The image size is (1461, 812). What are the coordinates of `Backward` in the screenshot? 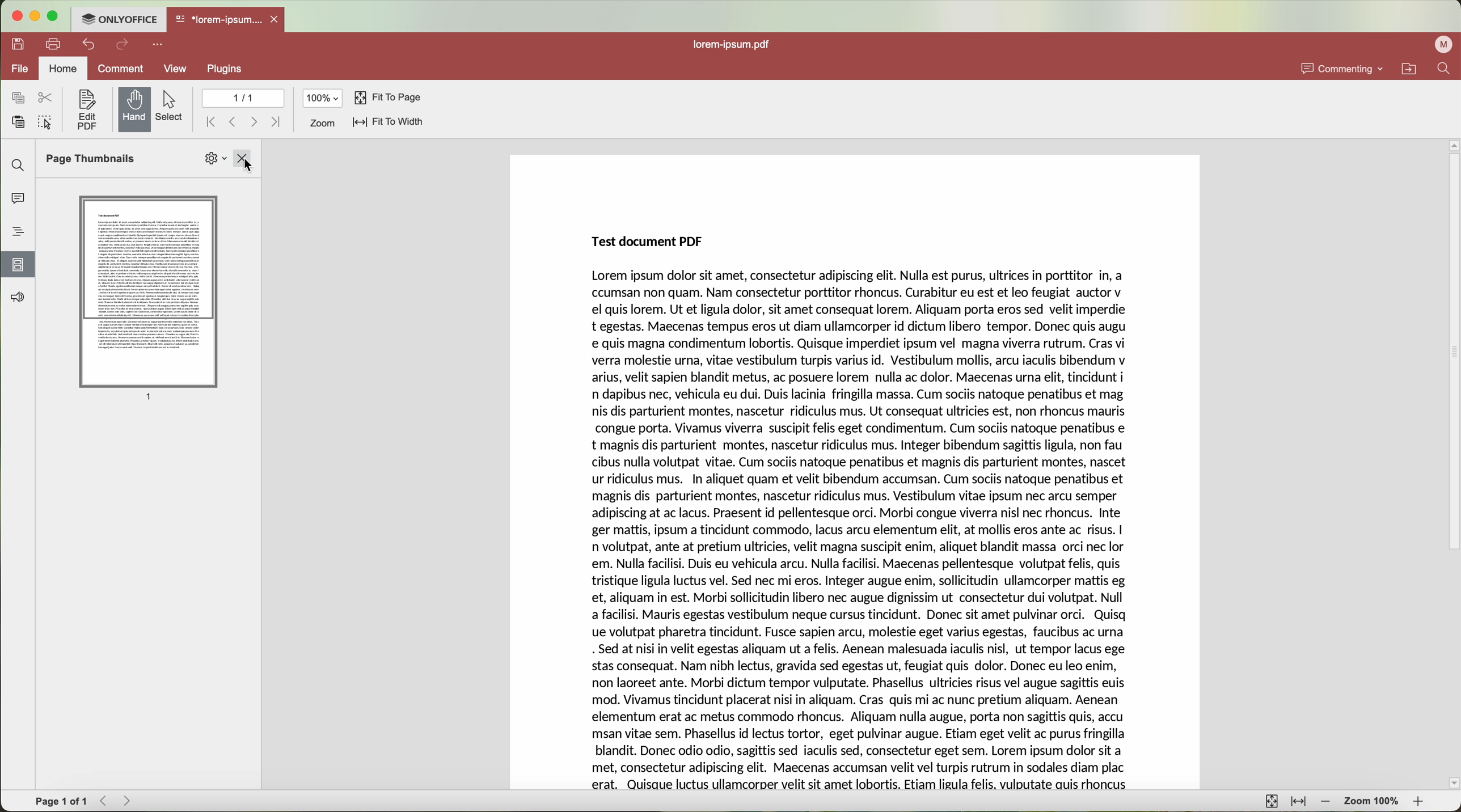 It's located at (105, 801).